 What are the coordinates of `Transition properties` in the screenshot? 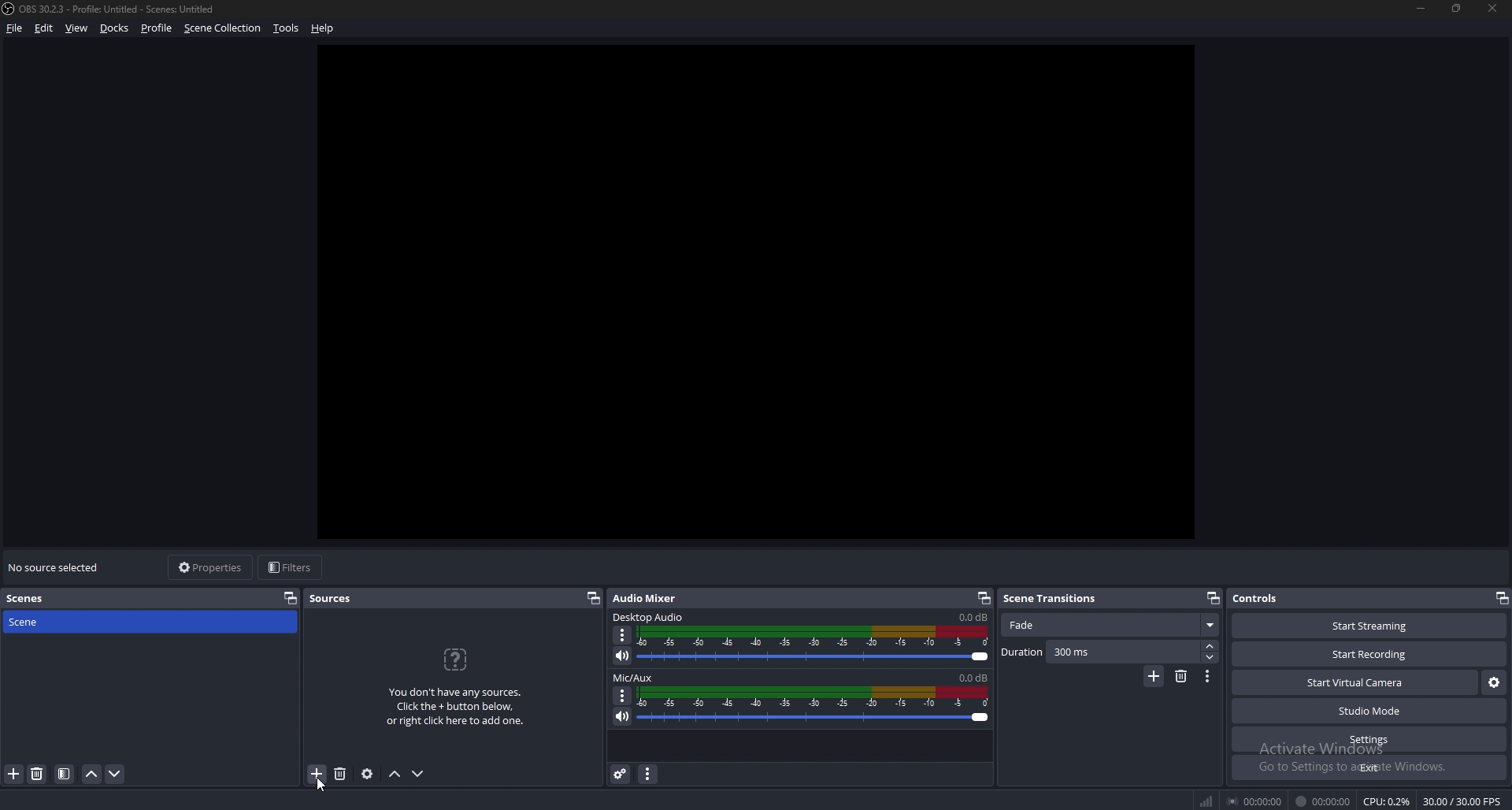 It's located at (1207, 677).